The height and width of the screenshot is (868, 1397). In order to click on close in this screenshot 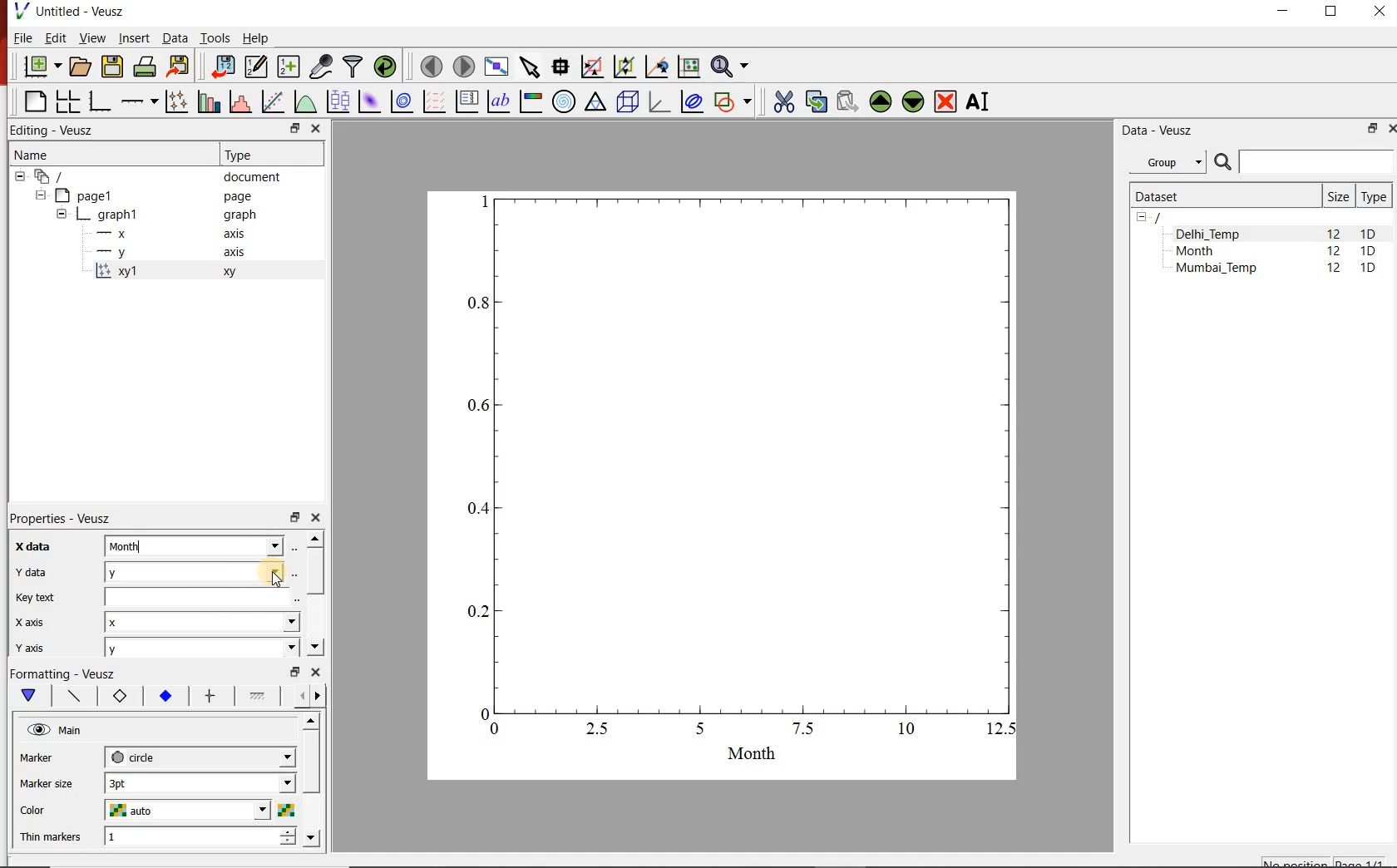, I will do `click(315, 672)`.